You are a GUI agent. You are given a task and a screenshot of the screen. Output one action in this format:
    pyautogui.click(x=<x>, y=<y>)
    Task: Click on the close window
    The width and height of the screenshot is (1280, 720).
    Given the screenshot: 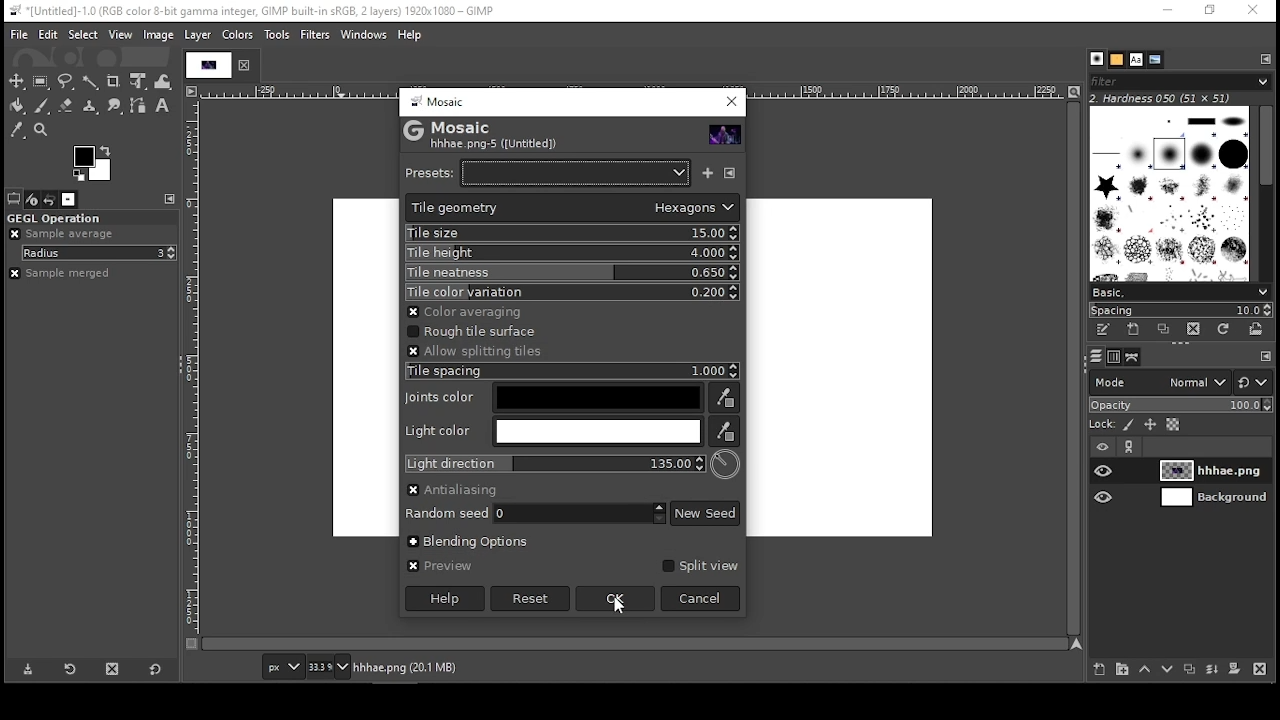 What is the action you would take?
    pyautogui.click(x=730, y=101)
    